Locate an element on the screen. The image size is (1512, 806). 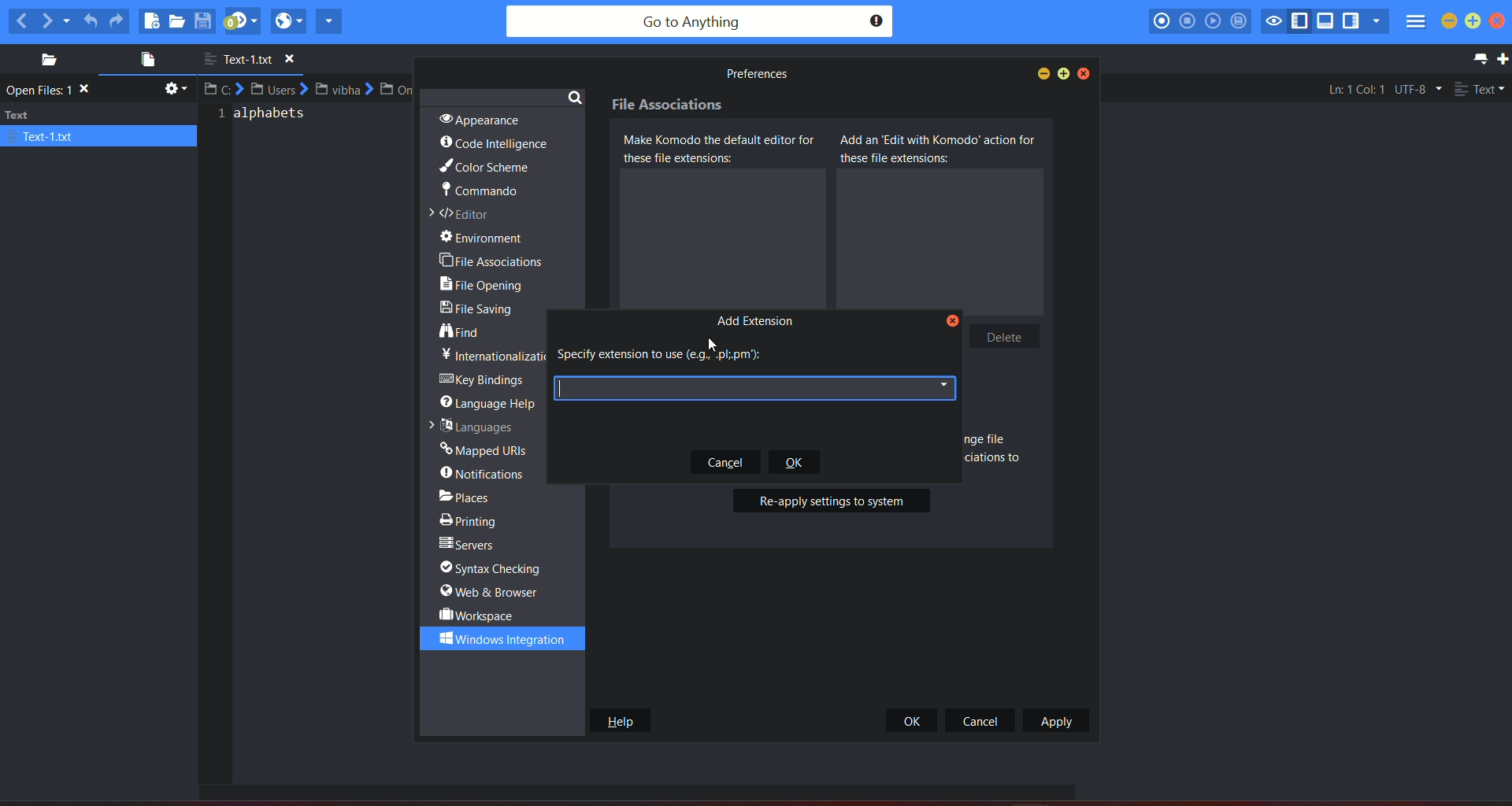
previous is located at coordinates (20, 20).